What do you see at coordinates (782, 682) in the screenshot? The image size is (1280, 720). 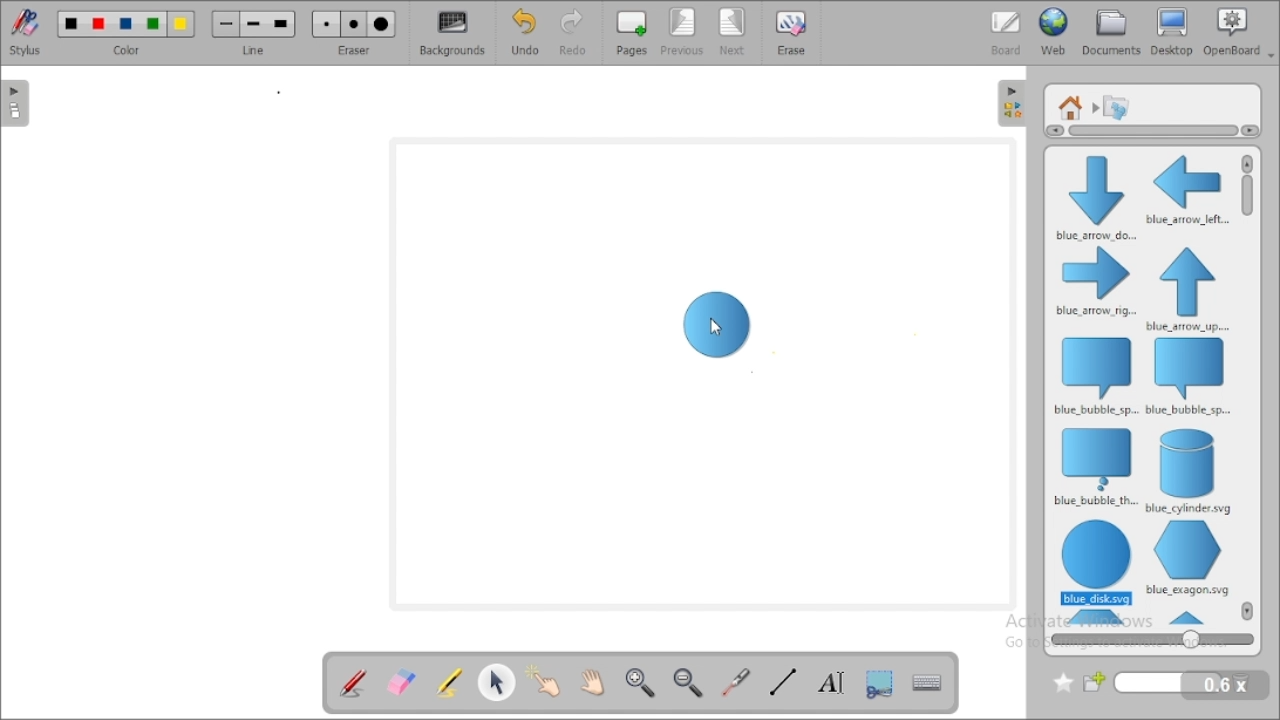 I see `draw lines` at bounding box center [782, 682].